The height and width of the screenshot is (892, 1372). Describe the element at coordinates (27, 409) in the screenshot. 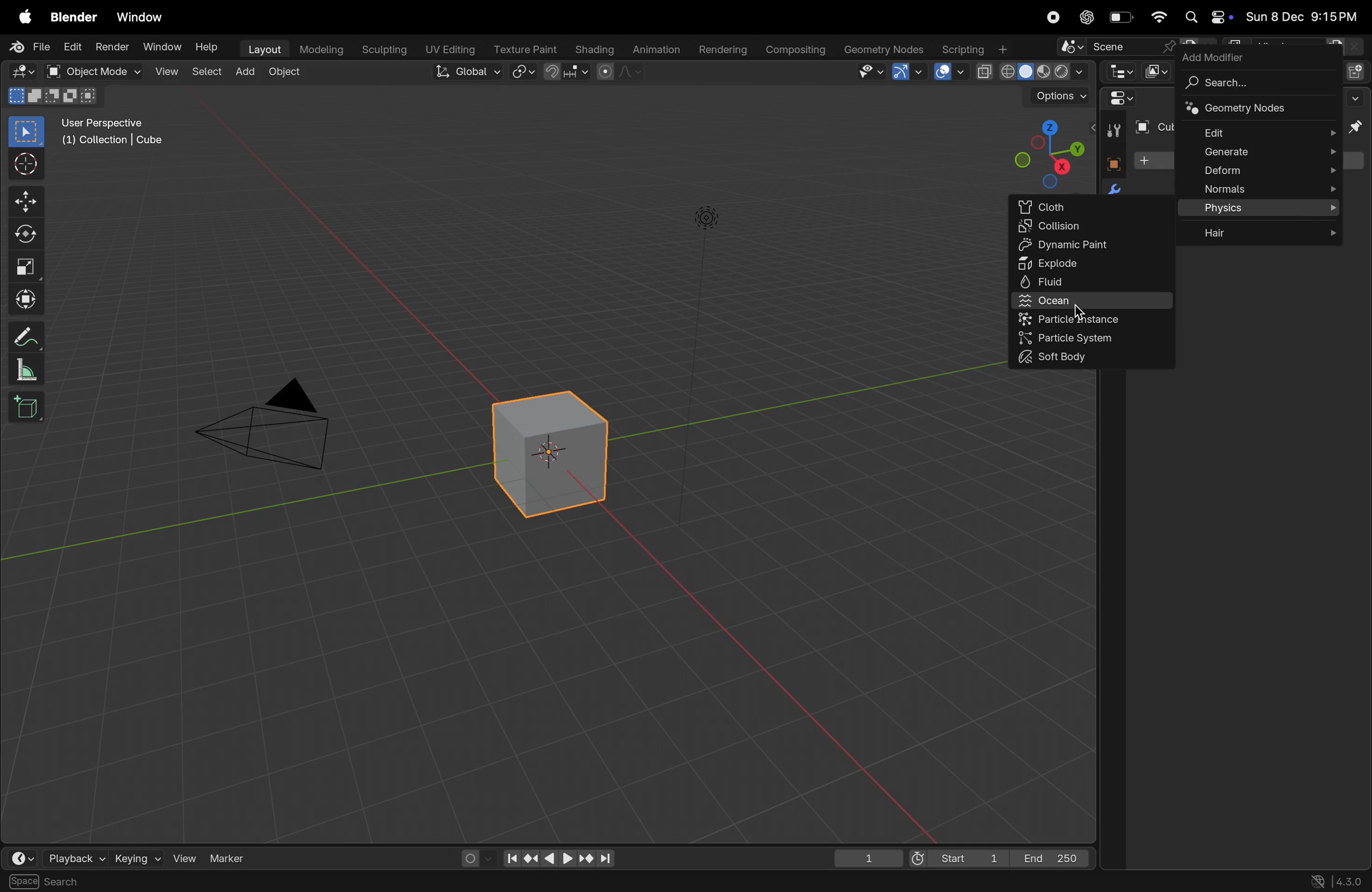

I see `add cube` at that location.